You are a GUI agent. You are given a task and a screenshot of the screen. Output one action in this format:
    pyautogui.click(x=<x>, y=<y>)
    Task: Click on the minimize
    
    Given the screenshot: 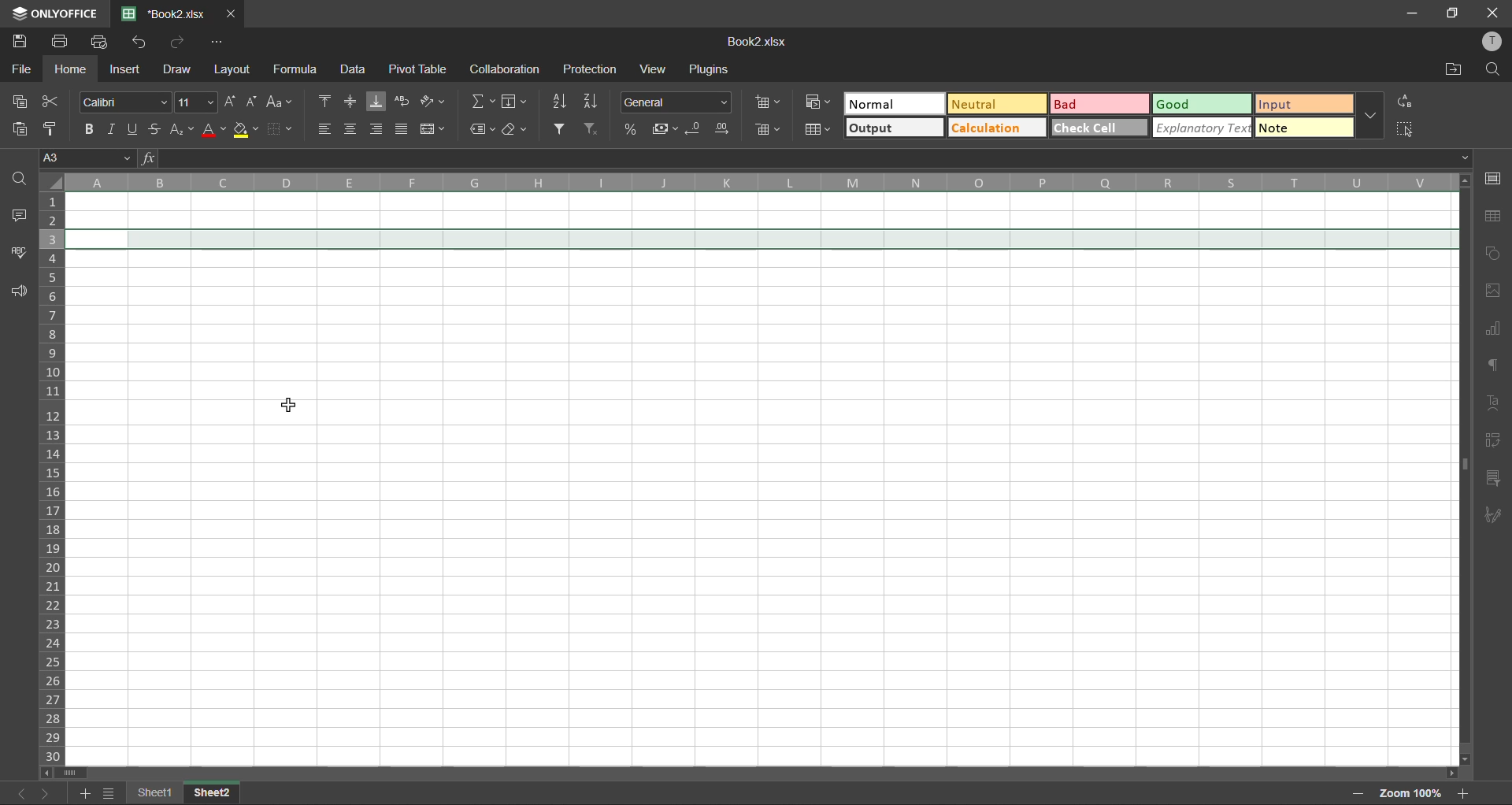 What is the action you would take?
    pyautogui.click(x=1410, y=13)
    